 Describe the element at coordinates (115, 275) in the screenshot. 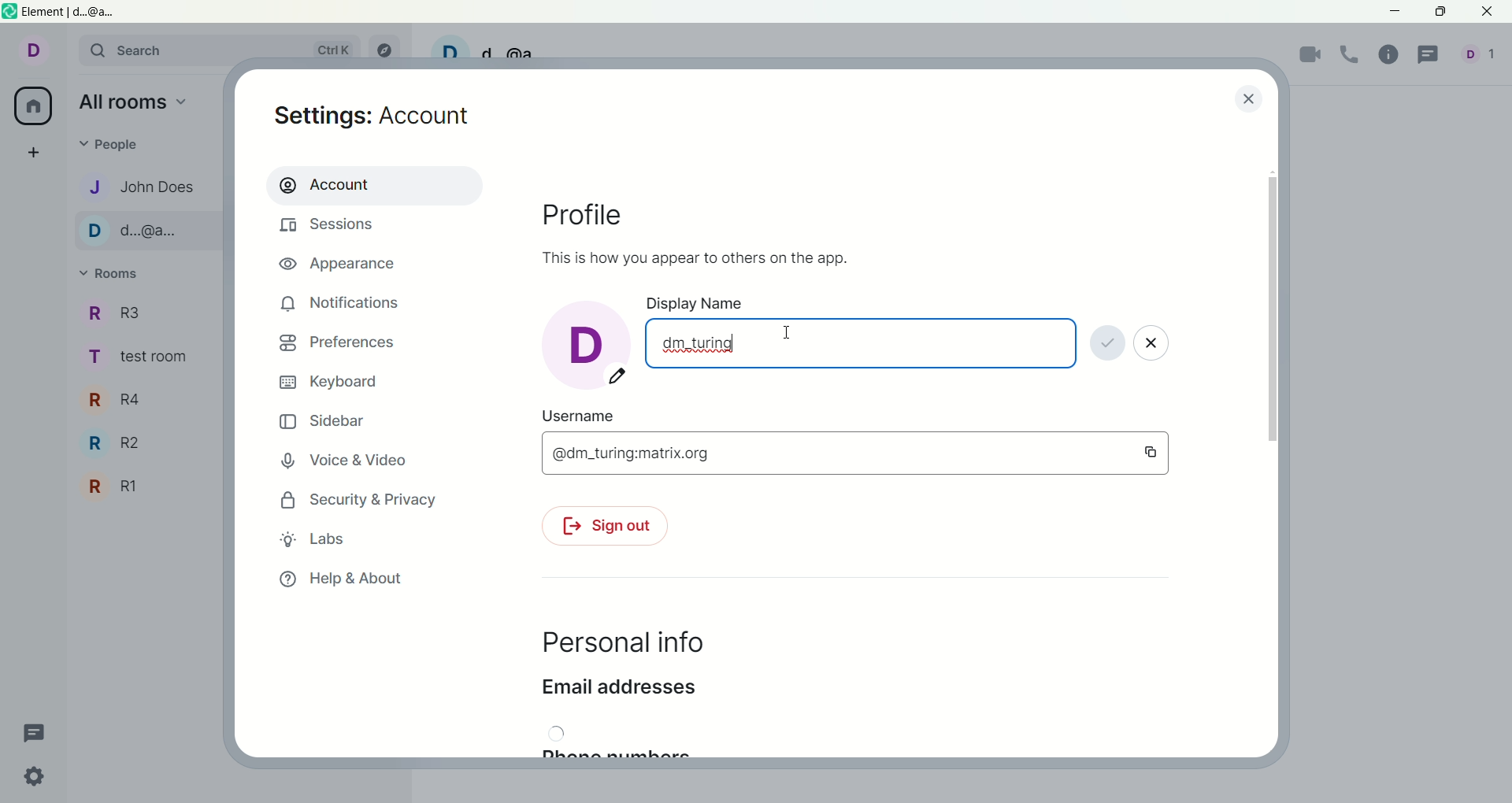

I see `rooms` at that location.